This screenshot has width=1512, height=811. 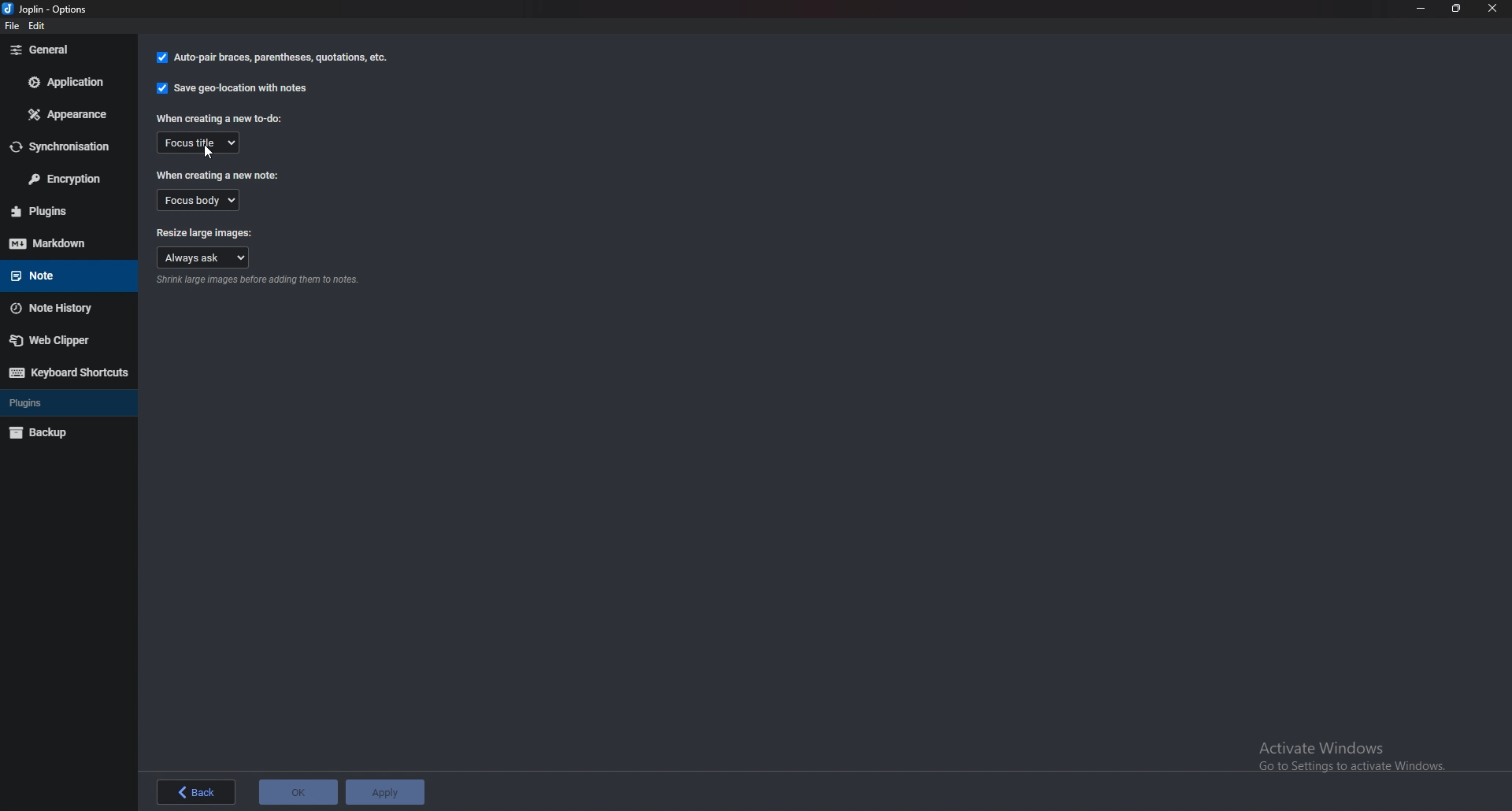 I want to click on Synchronization, so click(x=66, y=147).